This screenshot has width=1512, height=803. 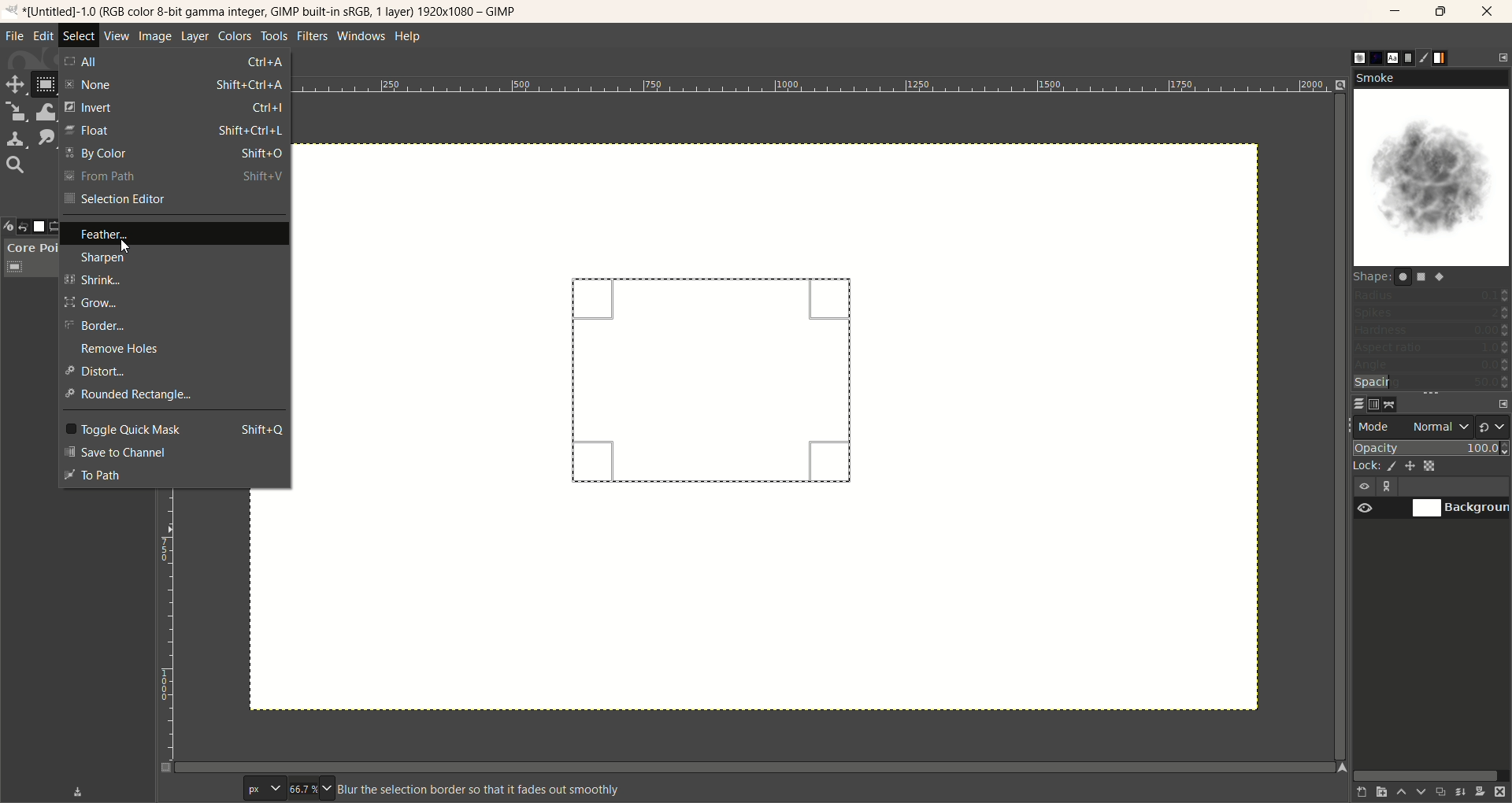 I want to click on feather, so click(x=175, y=233).